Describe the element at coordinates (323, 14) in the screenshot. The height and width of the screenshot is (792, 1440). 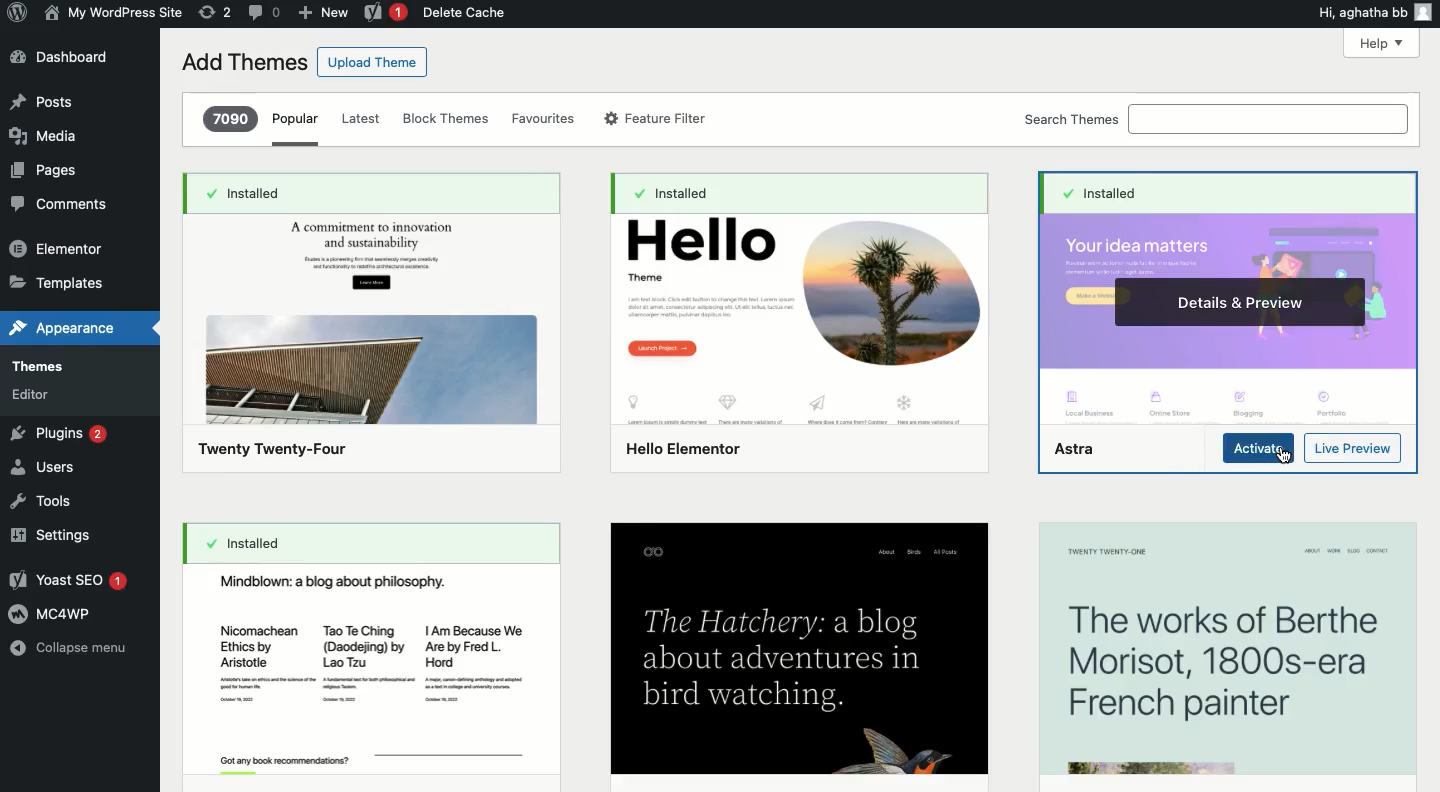
I see `New` at that location.